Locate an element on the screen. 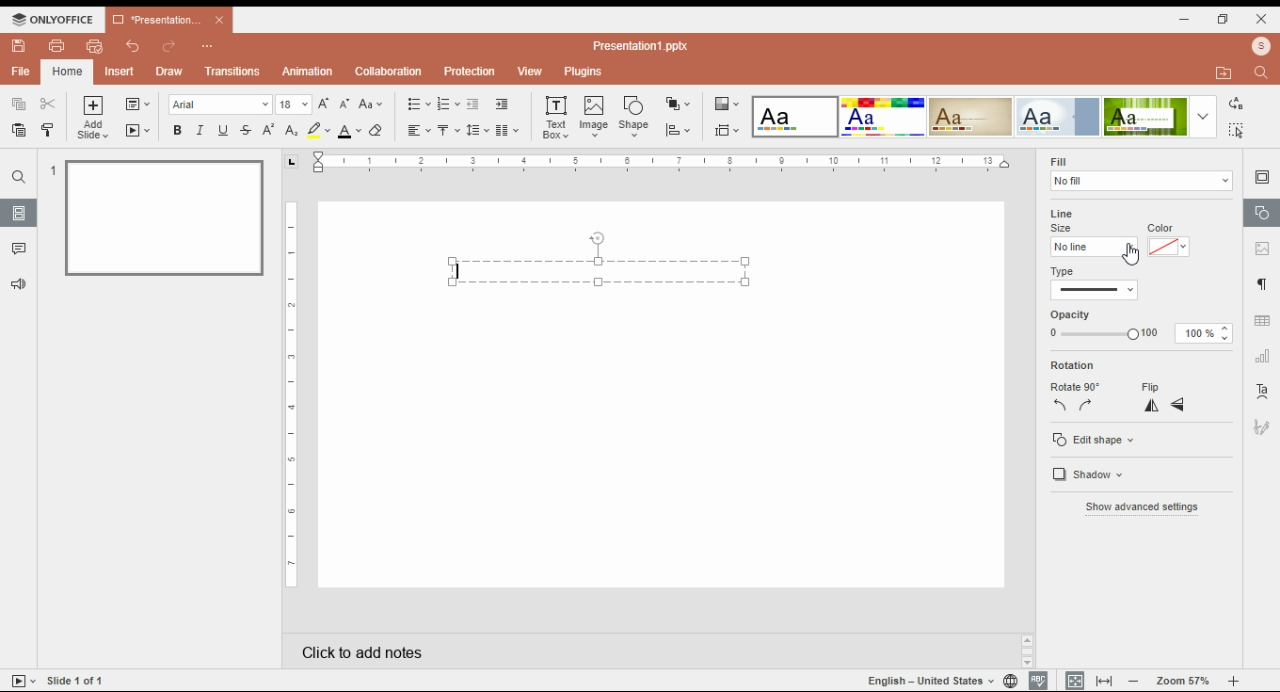 The width and height of the screenshot is (1280, 692). line type is located at coordinates (1095, 290).